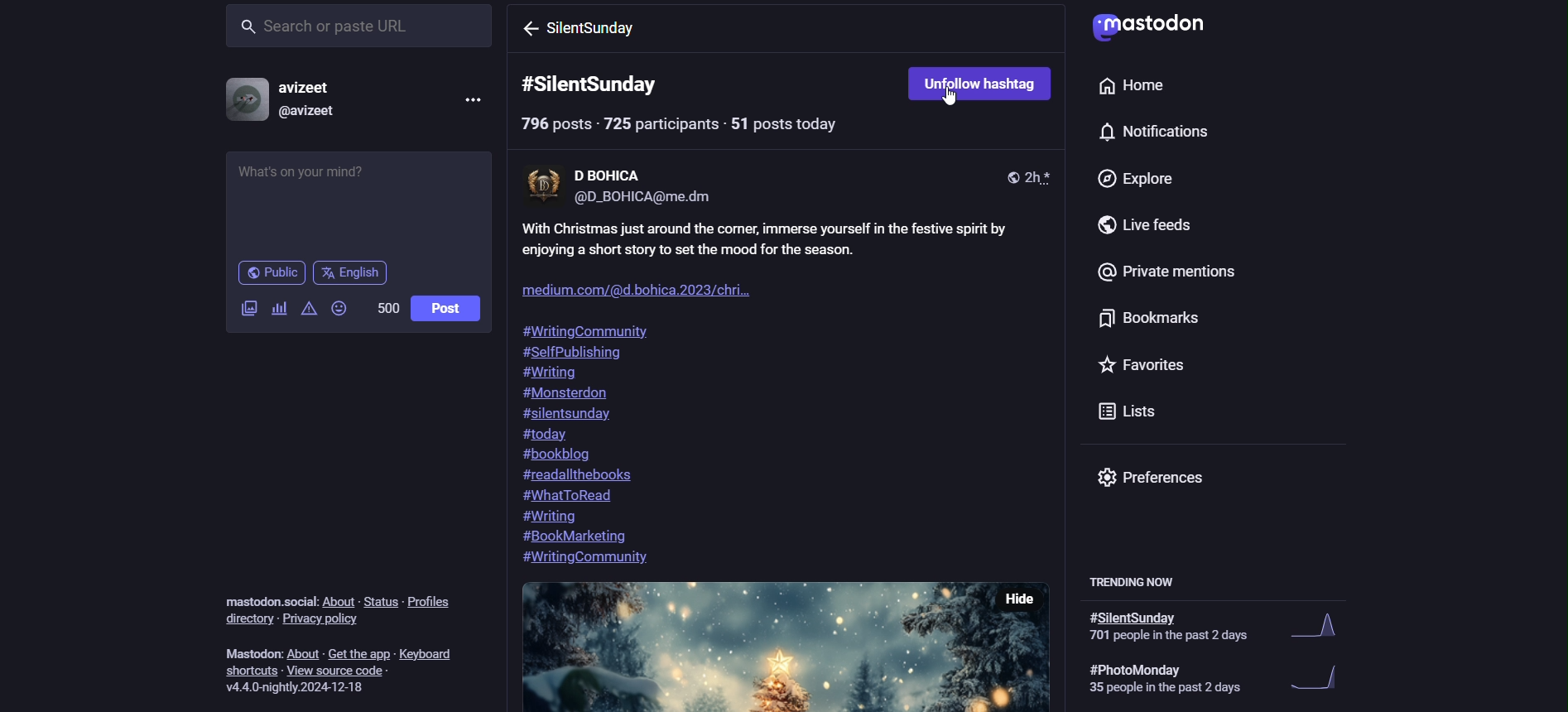 The image size is (1568, 712). What do you see at coordinates (1252, 628) in the screenshot?
I see ` #PhotoMonday 701 people in past 2 days` at bounding box center [1252, 628].